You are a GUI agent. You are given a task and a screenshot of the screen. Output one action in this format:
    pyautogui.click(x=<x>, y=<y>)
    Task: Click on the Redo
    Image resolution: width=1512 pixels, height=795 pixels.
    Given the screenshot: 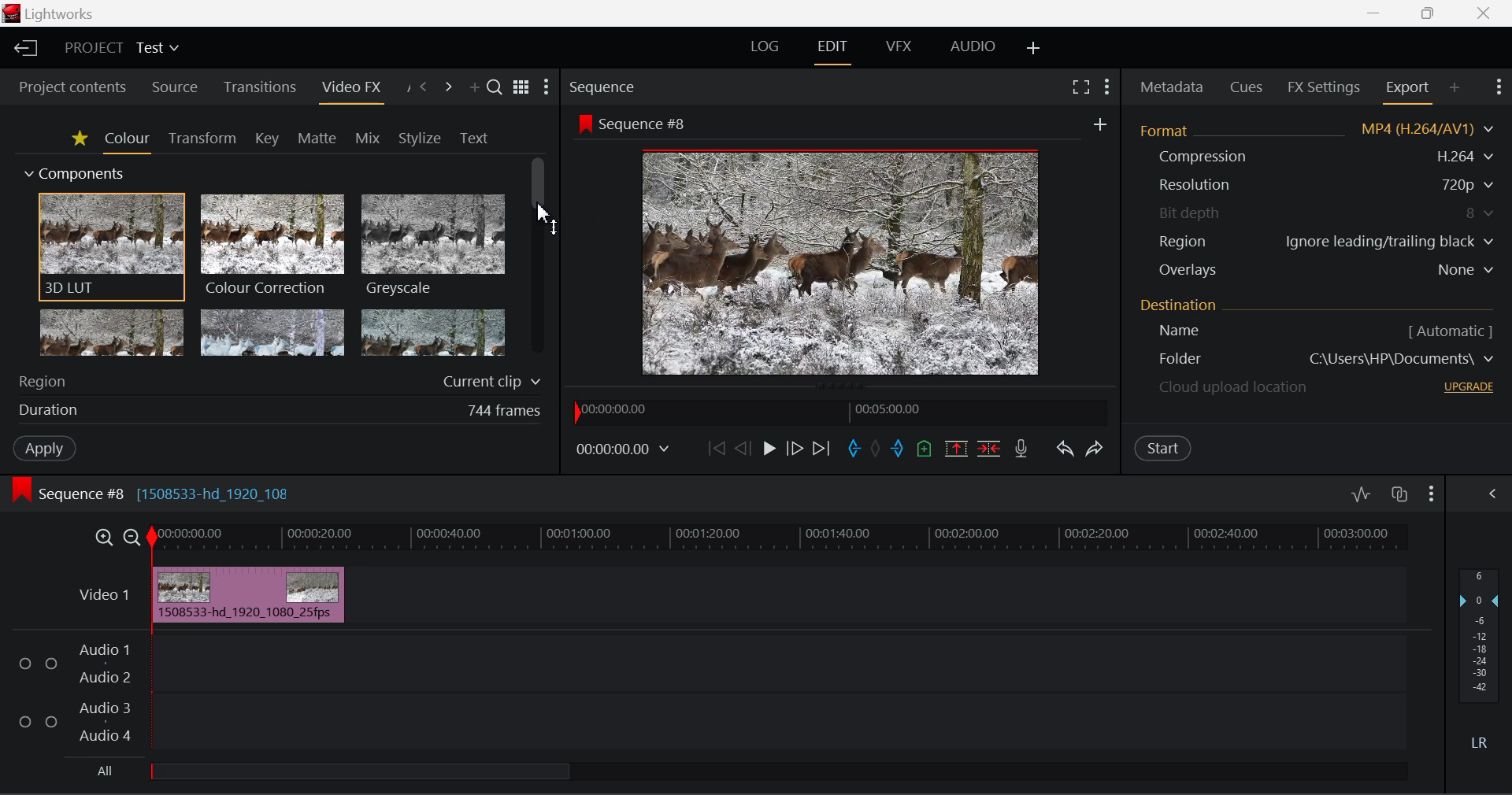 What is the action you would take?
    pyautogui.click(x=1098, y=449)
    